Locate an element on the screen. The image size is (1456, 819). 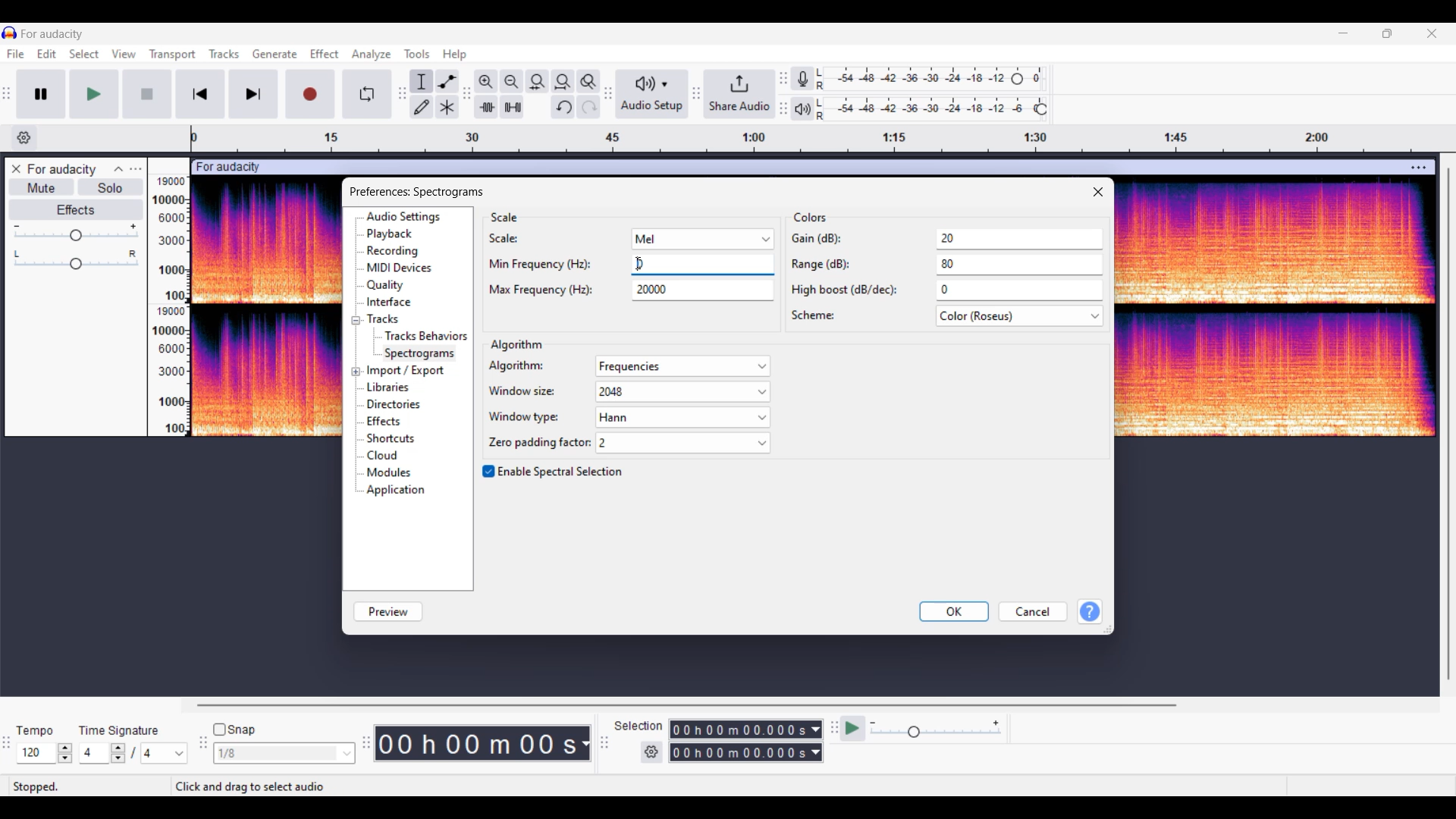
modules is located at coordinates (393, 472).